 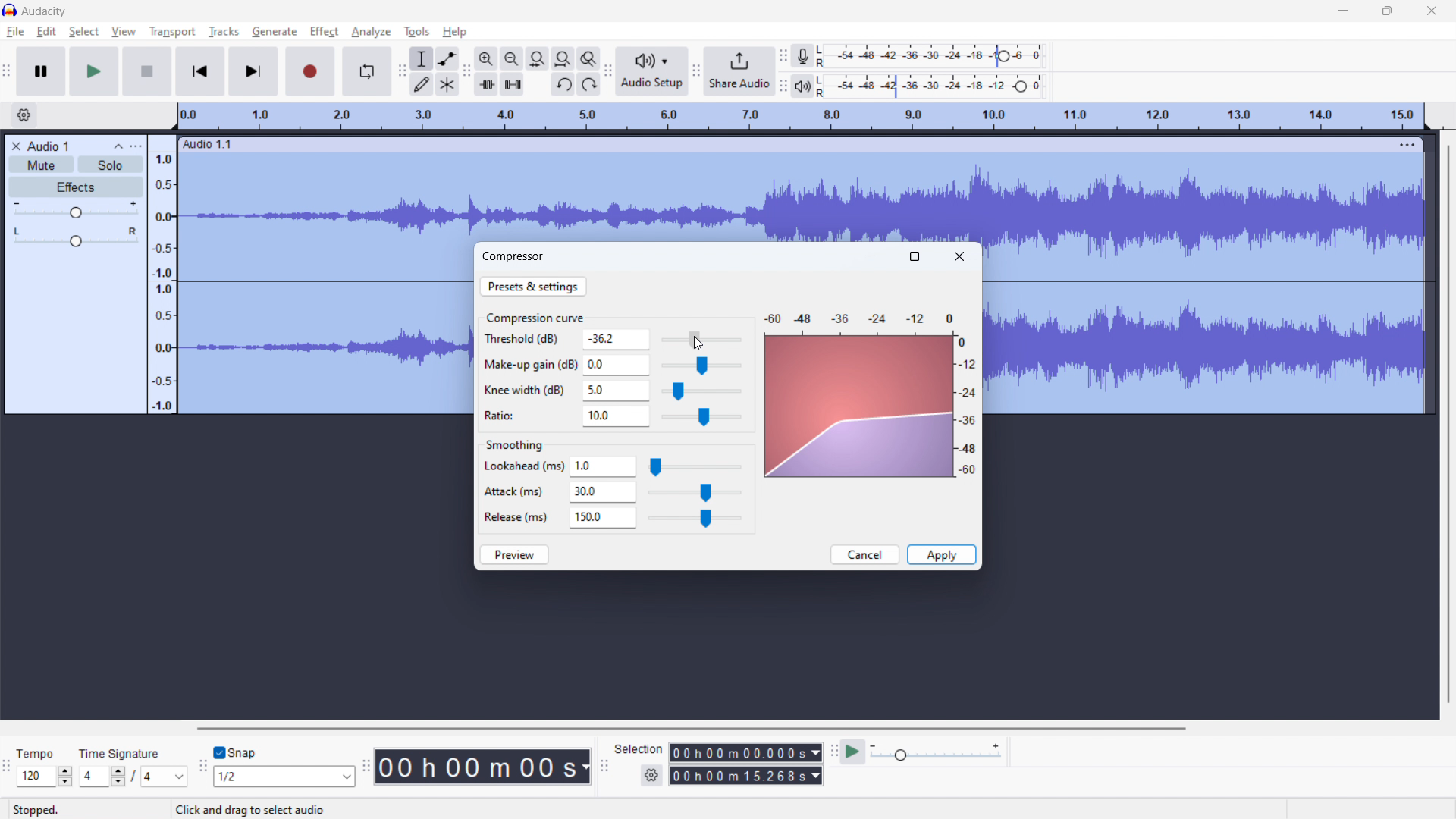 I want to click on Audacity logo, so click(x=10, y=10).